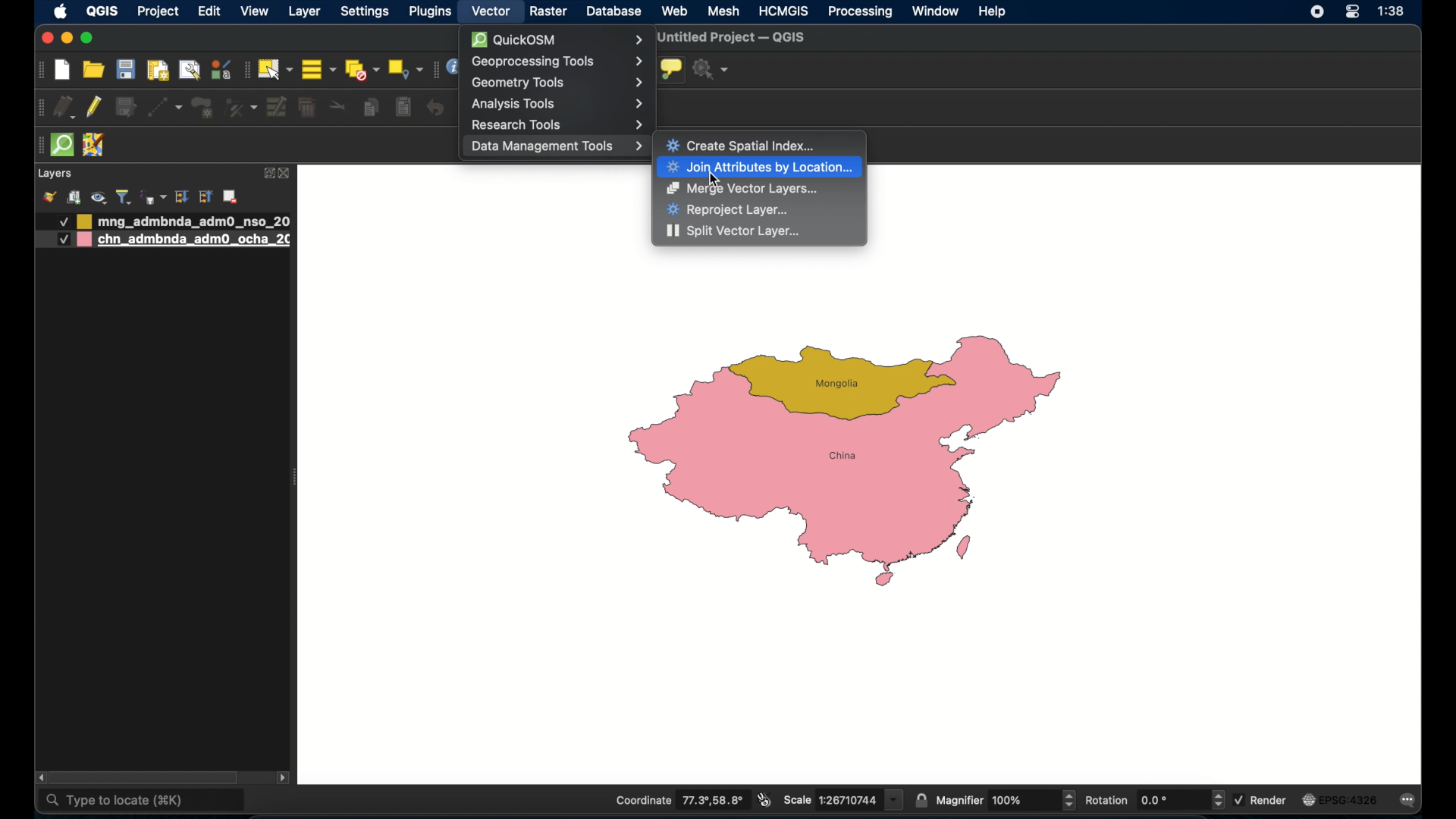  Describe the element at coordinates (494, 12) in the screenshot. I see `vector` at that location.